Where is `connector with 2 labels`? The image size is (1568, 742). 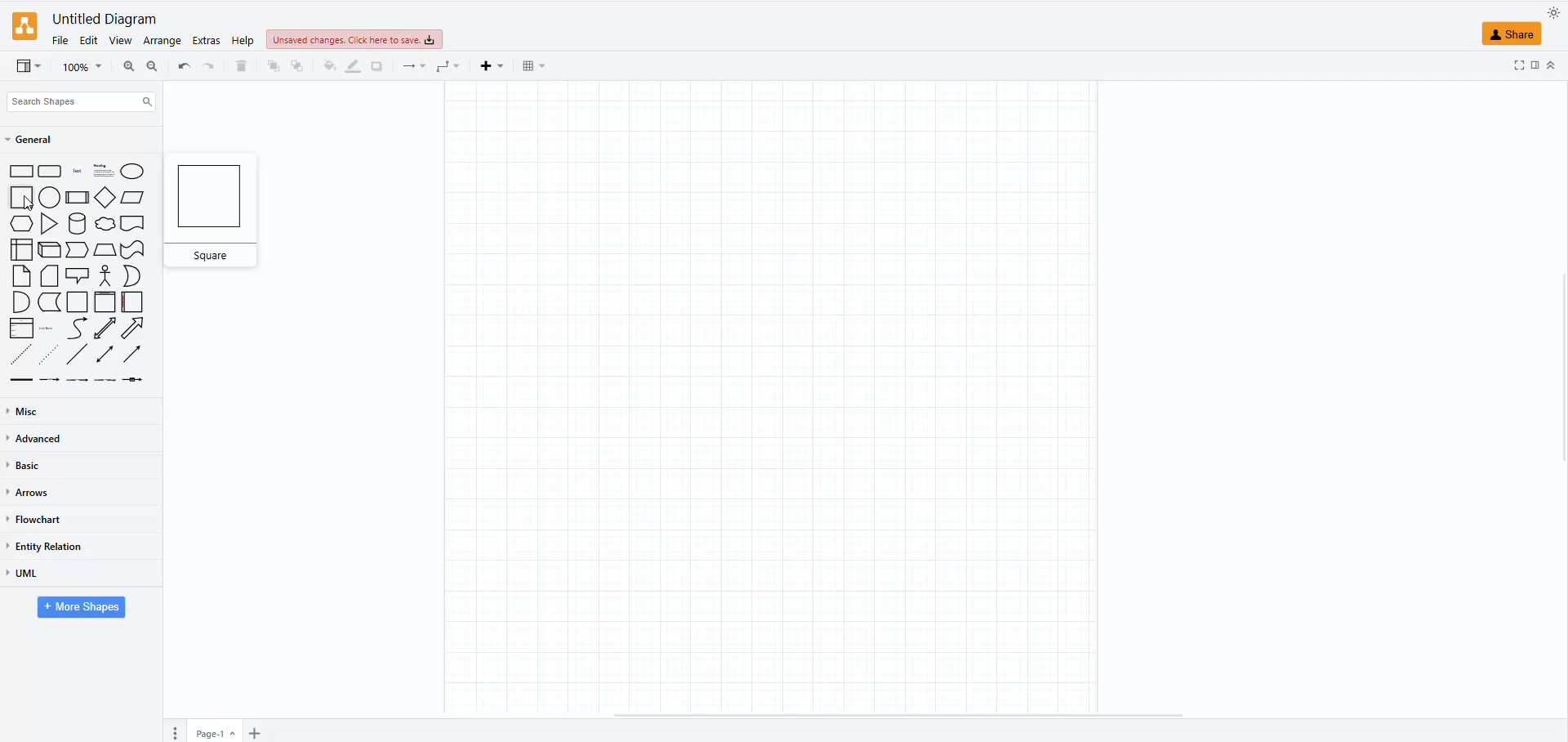
connector with 2 labels is located at coordinates (78, 382).